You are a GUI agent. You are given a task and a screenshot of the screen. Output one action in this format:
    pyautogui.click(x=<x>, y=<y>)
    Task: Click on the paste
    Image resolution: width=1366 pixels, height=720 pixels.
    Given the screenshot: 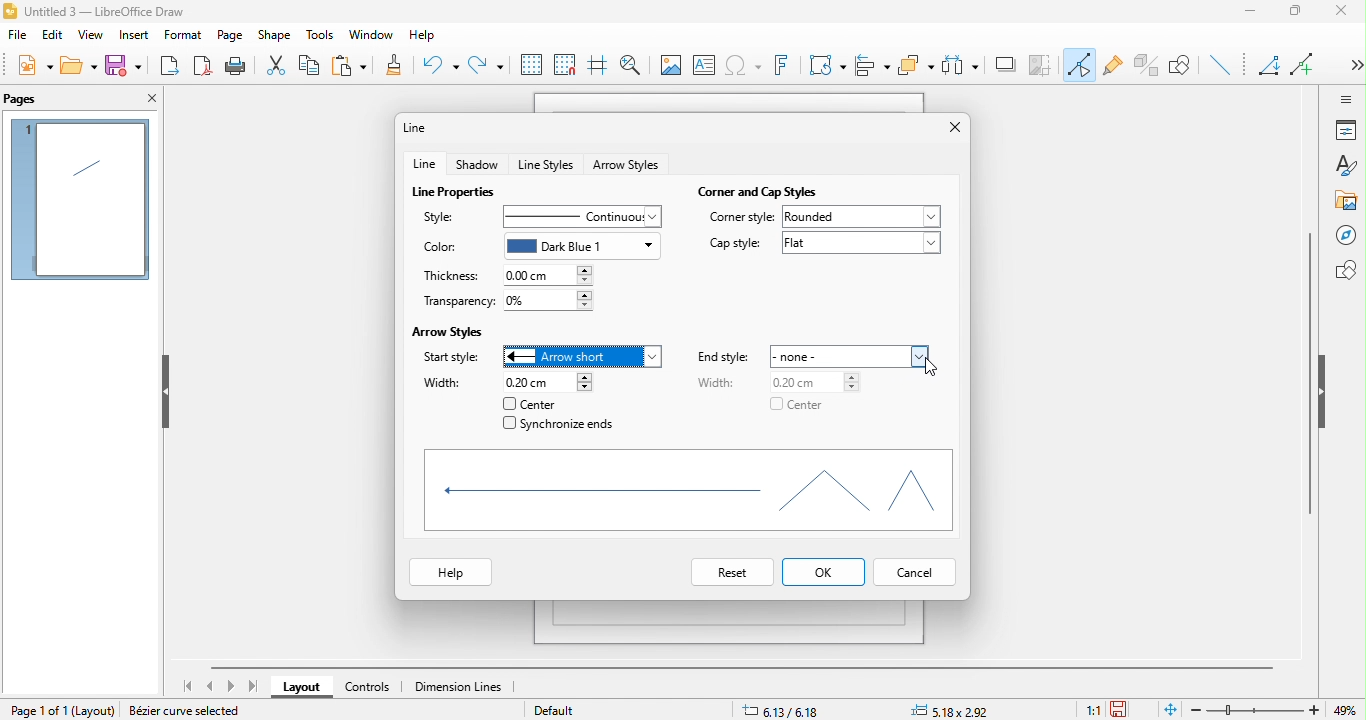 What is the action you would take?
    pyautogui.click(x=355, y=66)
    